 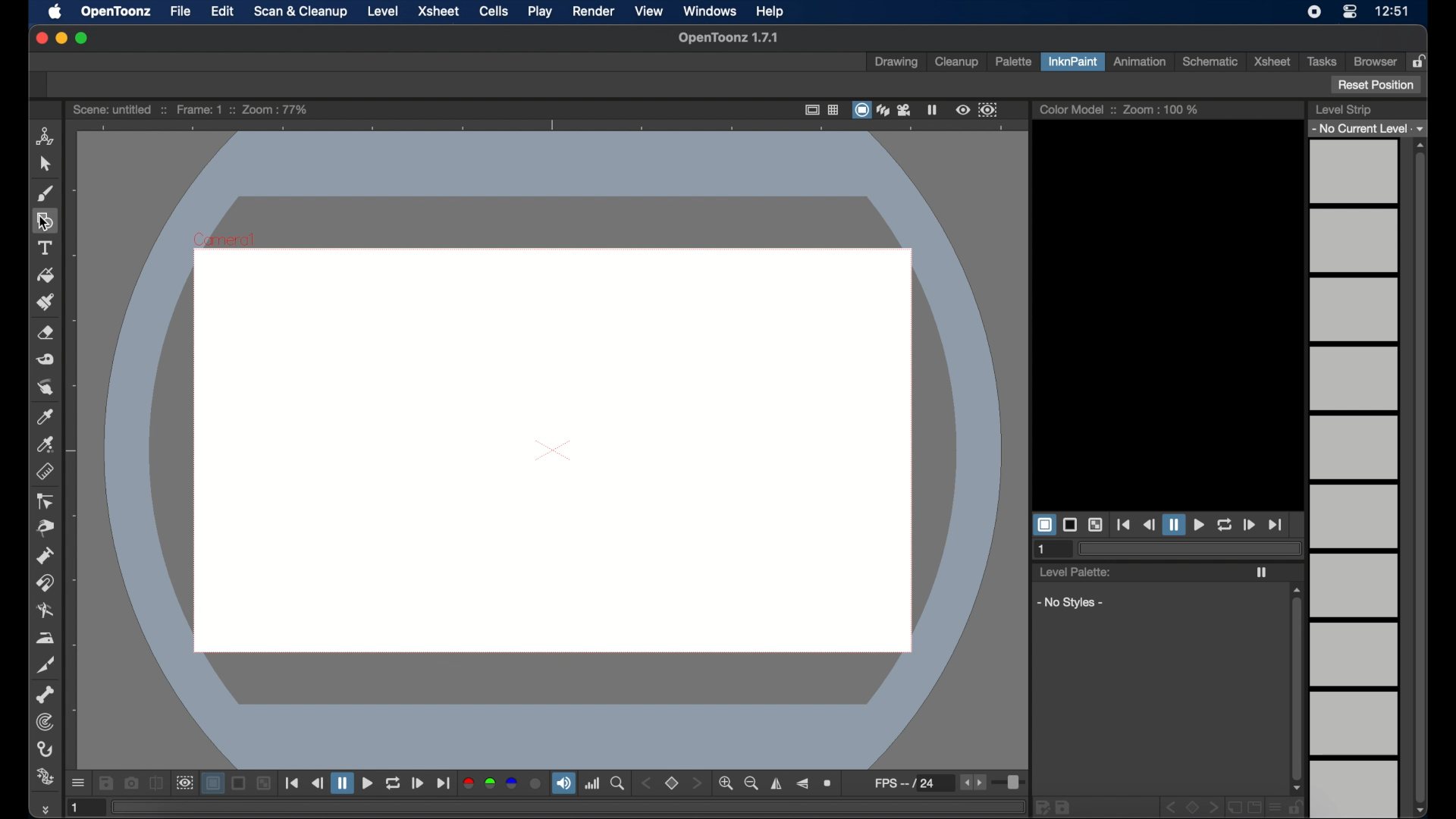 I want to click on picker tool, so click(x=46, y=444).